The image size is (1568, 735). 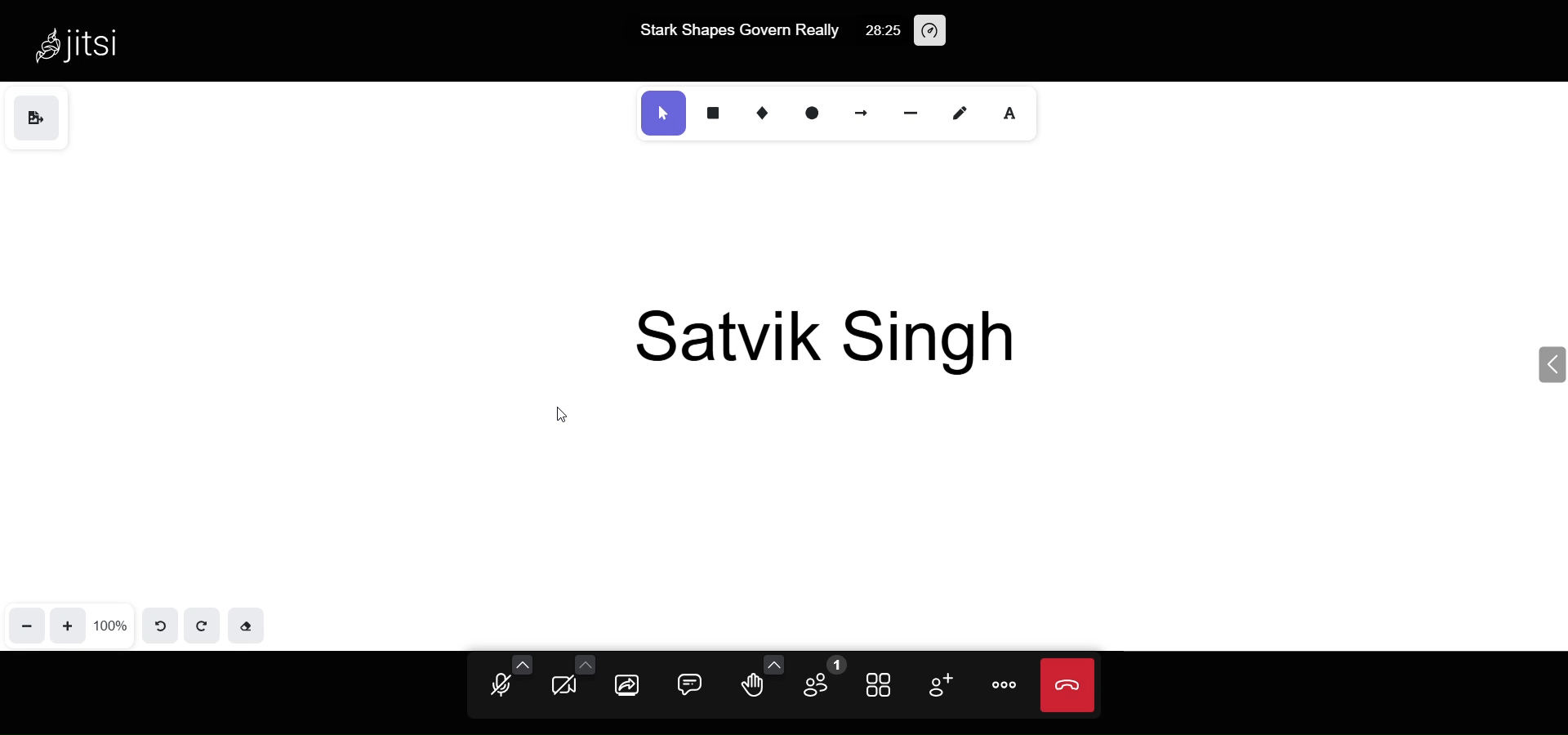 I want to click on expand, so click(x=1548, y=363).